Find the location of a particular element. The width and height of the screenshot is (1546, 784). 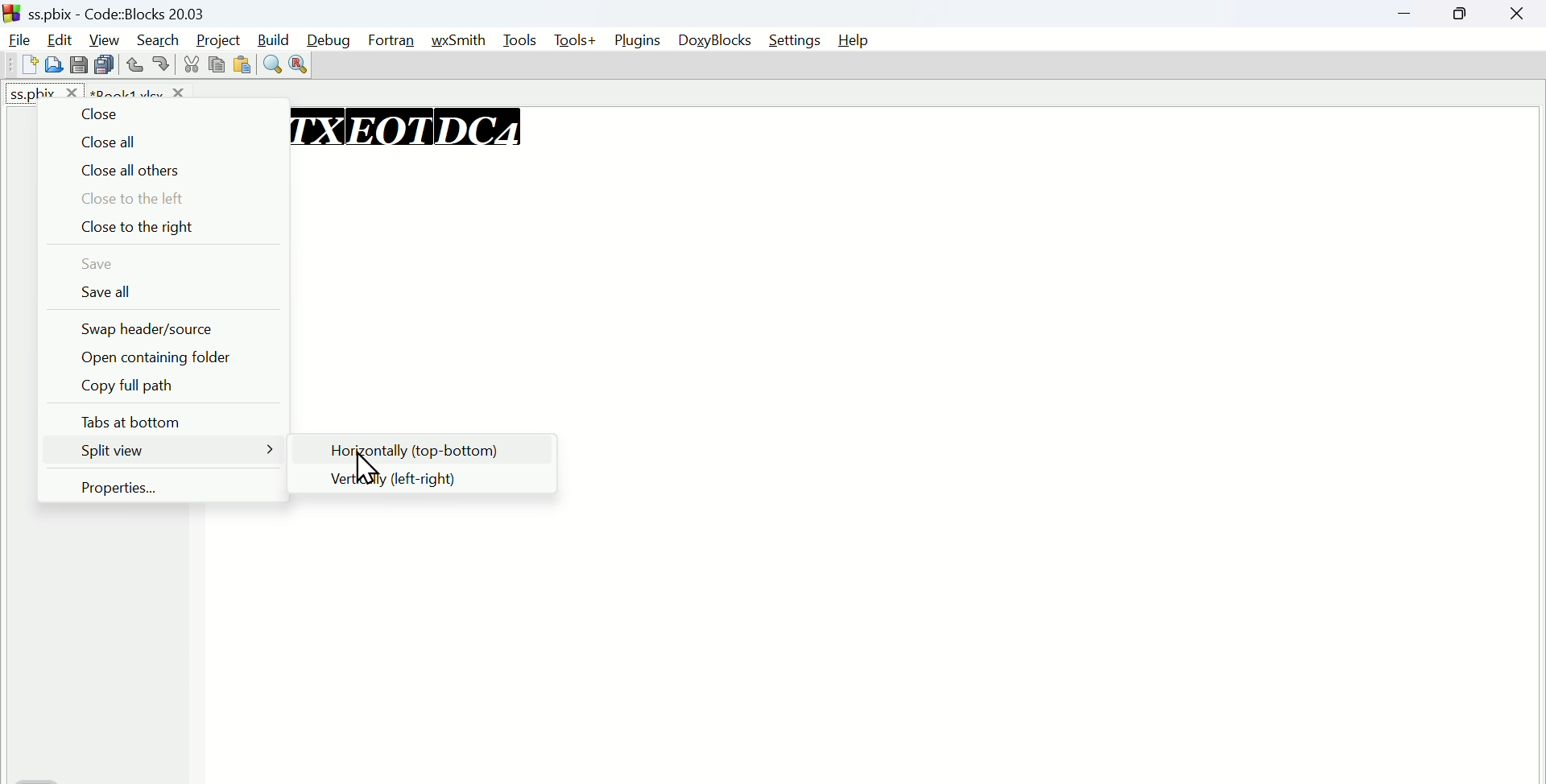

Settings is located at coordinates (793, 40).